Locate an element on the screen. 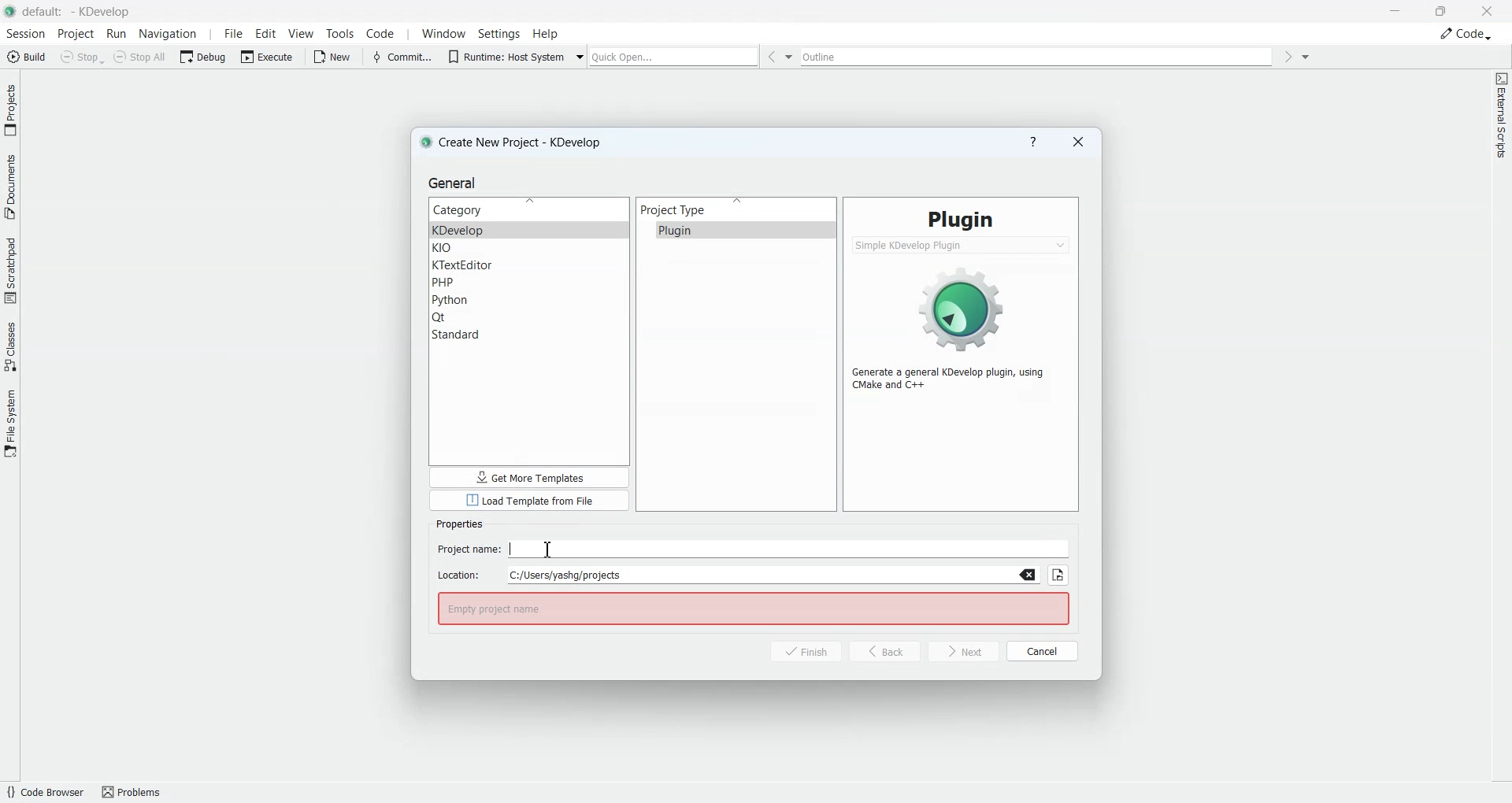 The image size is (1512, 803). Text is located at coordinates (459, 524).